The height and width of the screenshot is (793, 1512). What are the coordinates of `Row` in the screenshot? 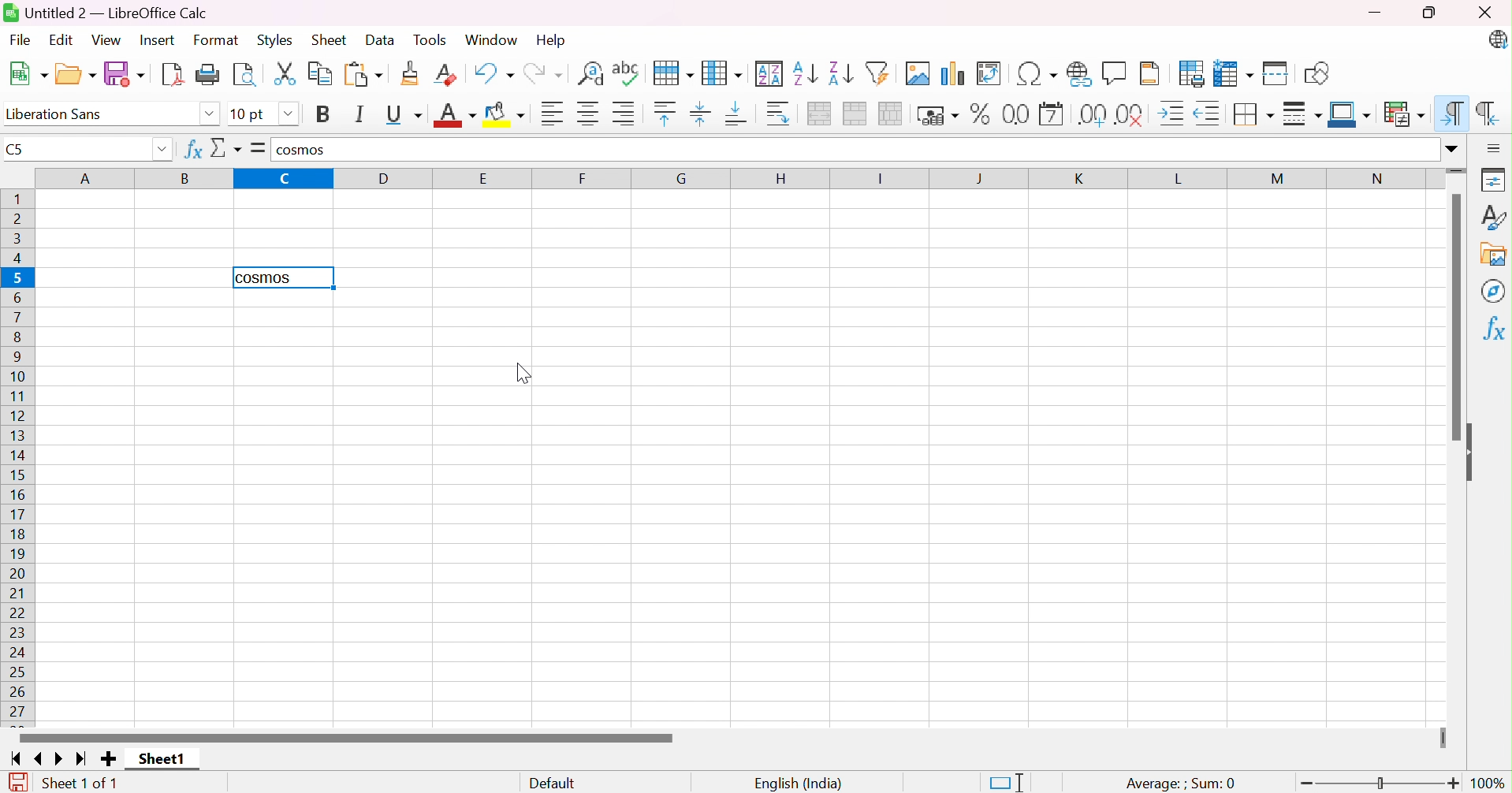 It's located at (676, 72).